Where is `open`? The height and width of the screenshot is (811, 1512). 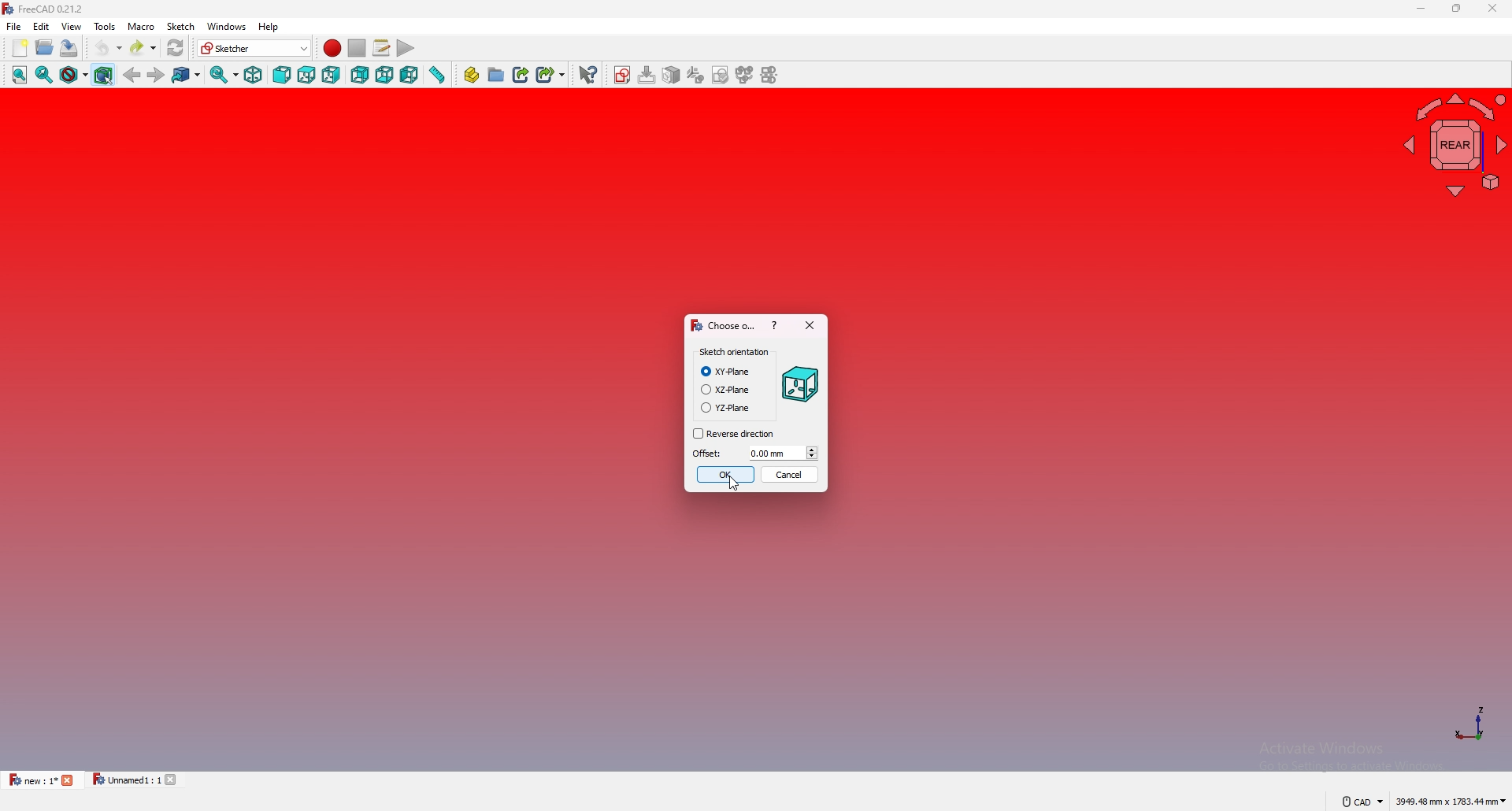
open is located at coordinates (45, 47).